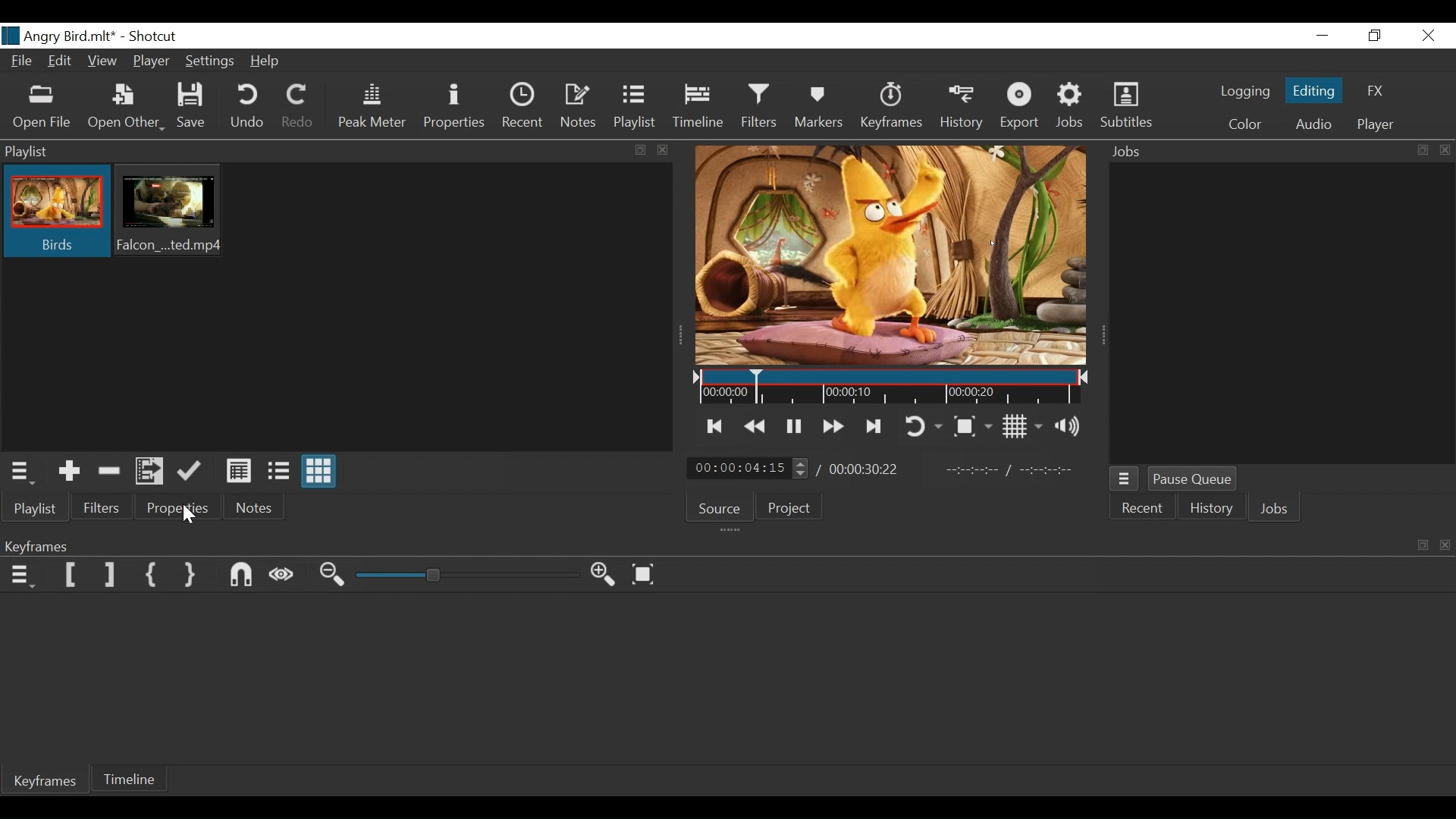 This screenshot has height=819, width=1456. What do you see at coordinates (1194, 479) in the screenshot?
I see `Pause Queue` at bounding box center [1194, 479].